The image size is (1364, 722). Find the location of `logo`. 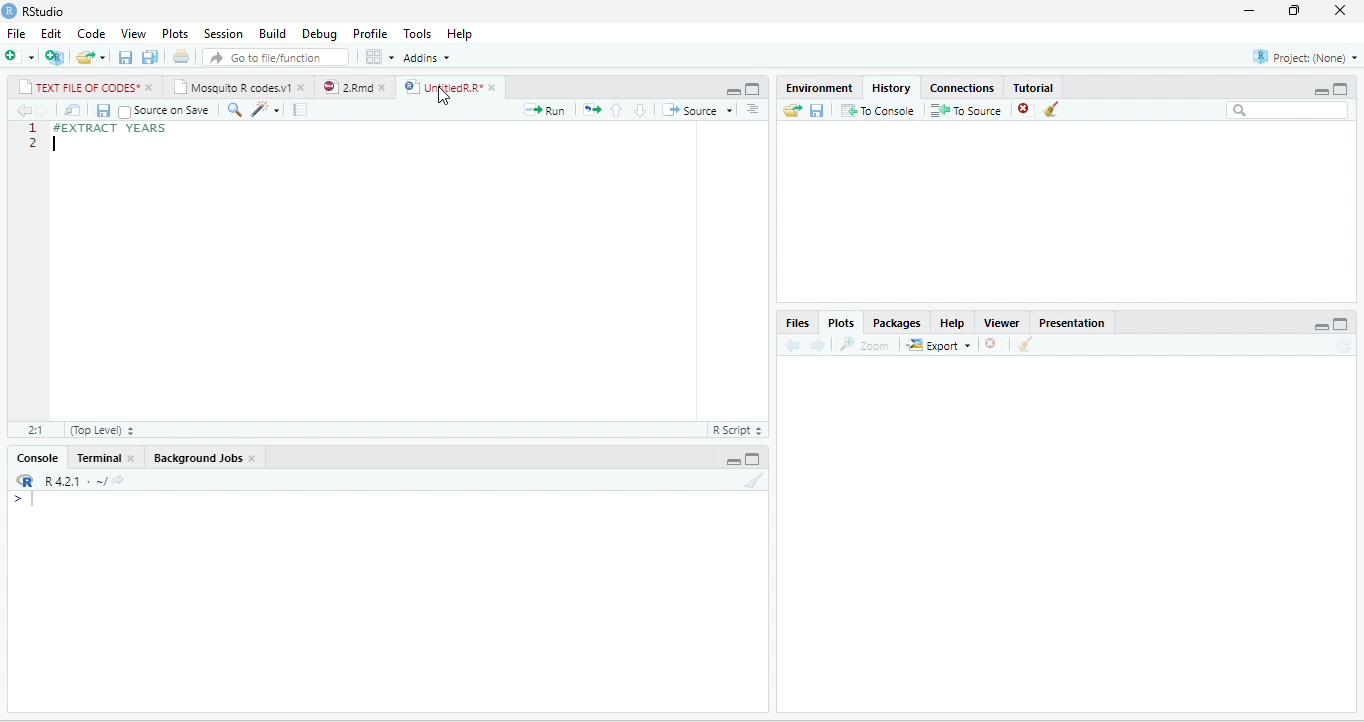

logo is located at coordinates (10, 11).